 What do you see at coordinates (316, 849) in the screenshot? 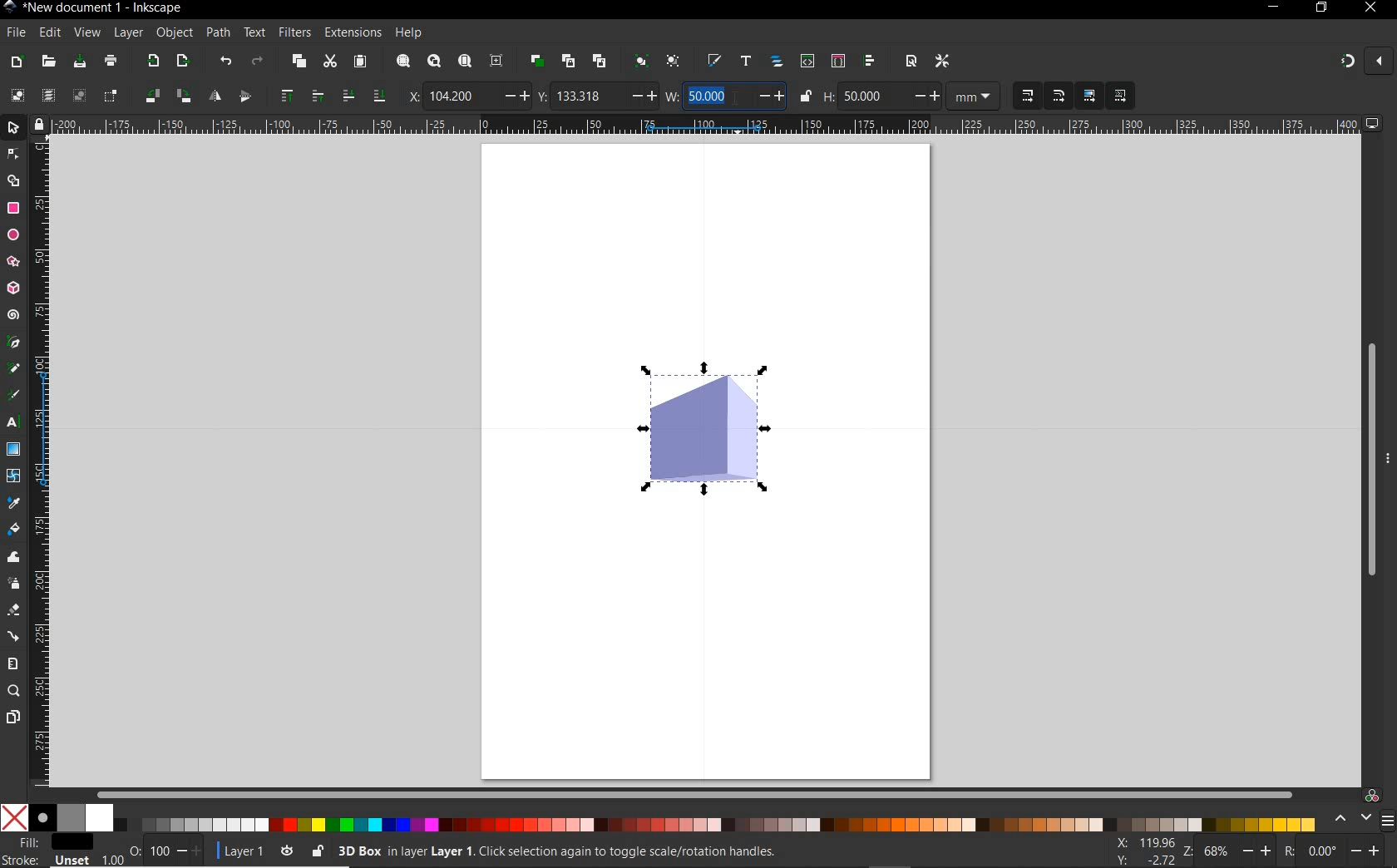
I see `lock/unlock` at bounding box center [316, 849].